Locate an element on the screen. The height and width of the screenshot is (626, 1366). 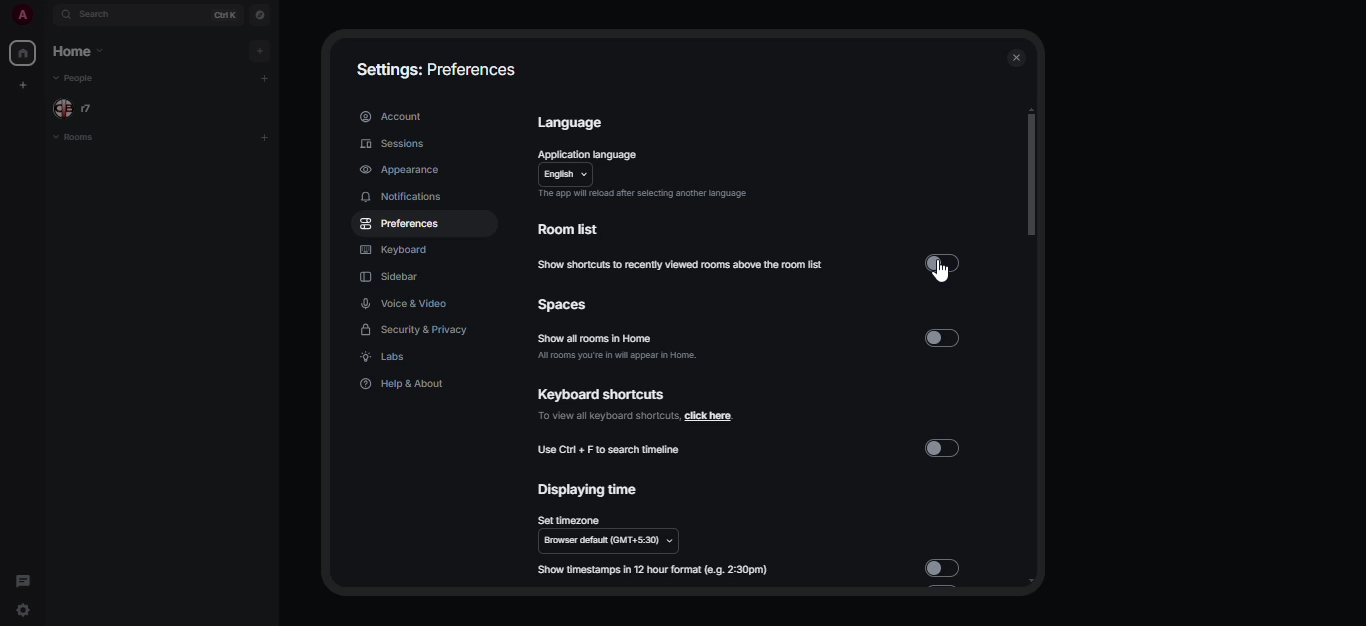
english is located at coordinates (568, 173).